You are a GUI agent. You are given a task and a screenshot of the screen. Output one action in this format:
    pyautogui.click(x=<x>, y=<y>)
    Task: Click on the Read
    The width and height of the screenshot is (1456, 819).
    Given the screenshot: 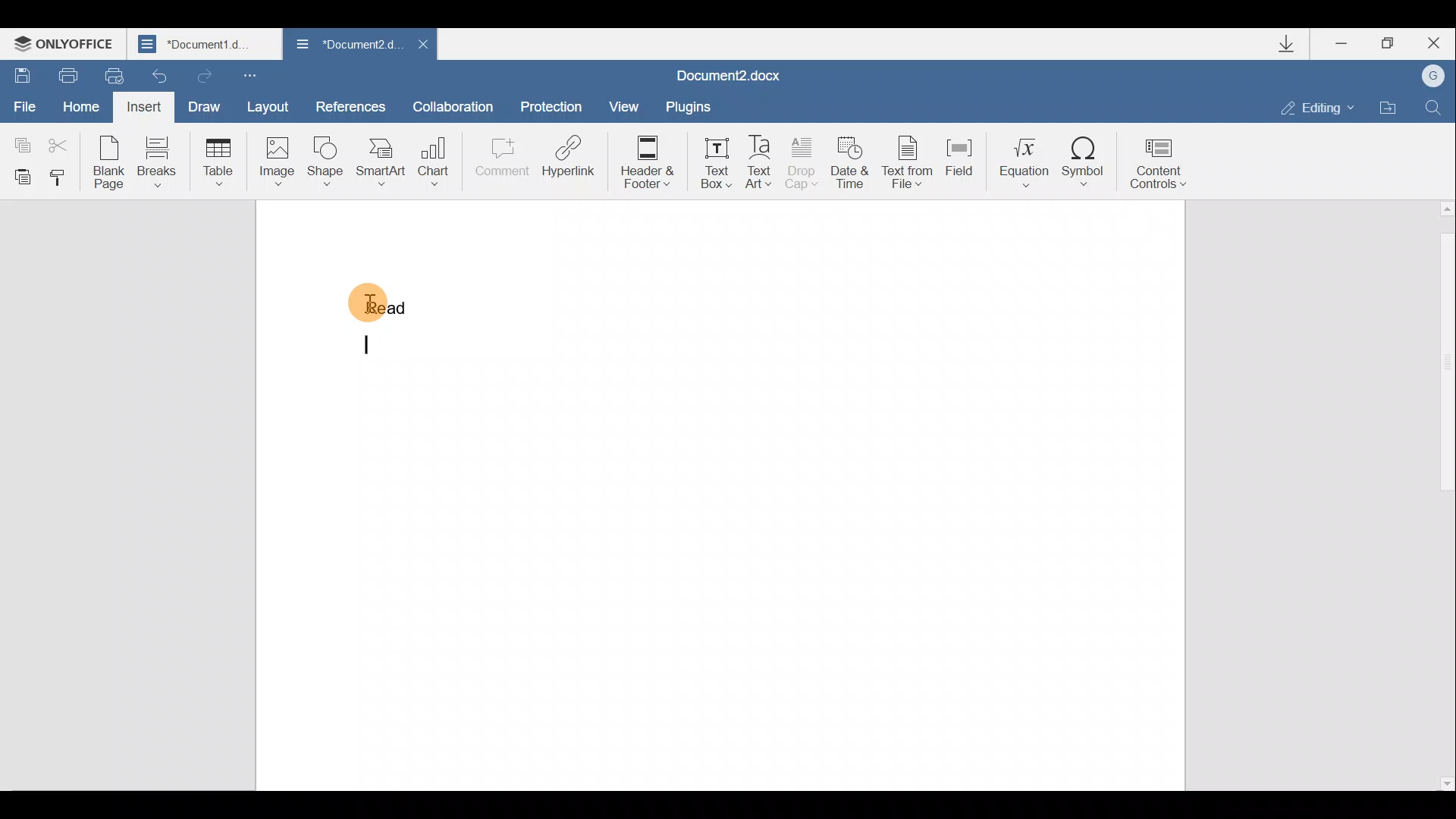 What is the action you would take?
    pyautogui.click(x=379, y=299)
    